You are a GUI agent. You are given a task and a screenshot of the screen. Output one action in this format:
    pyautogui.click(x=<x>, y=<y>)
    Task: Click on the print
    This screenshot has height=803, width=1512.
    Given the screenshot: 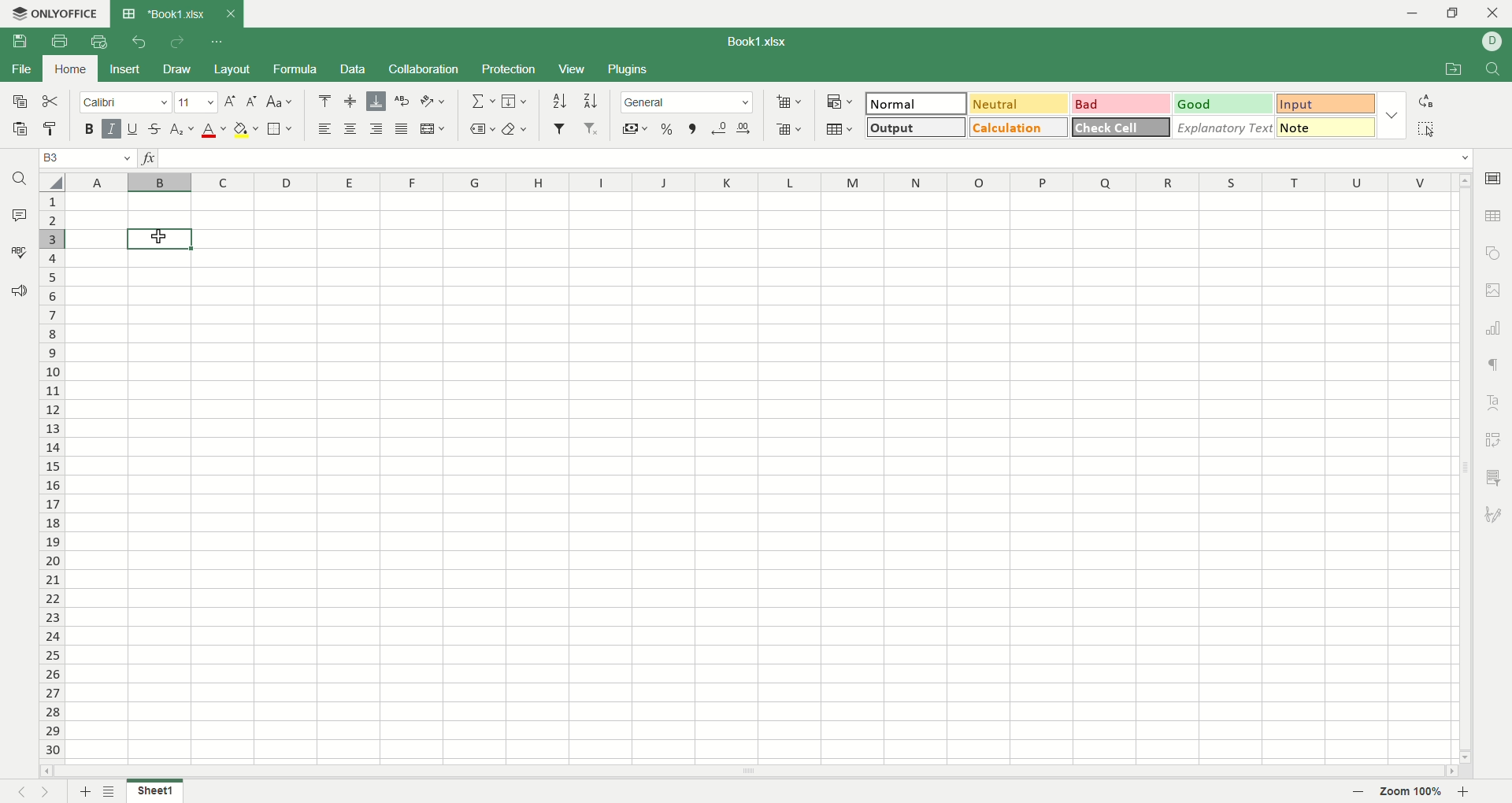 What is the action you would take?
    pyautogui.click(x=63, y=43)
    